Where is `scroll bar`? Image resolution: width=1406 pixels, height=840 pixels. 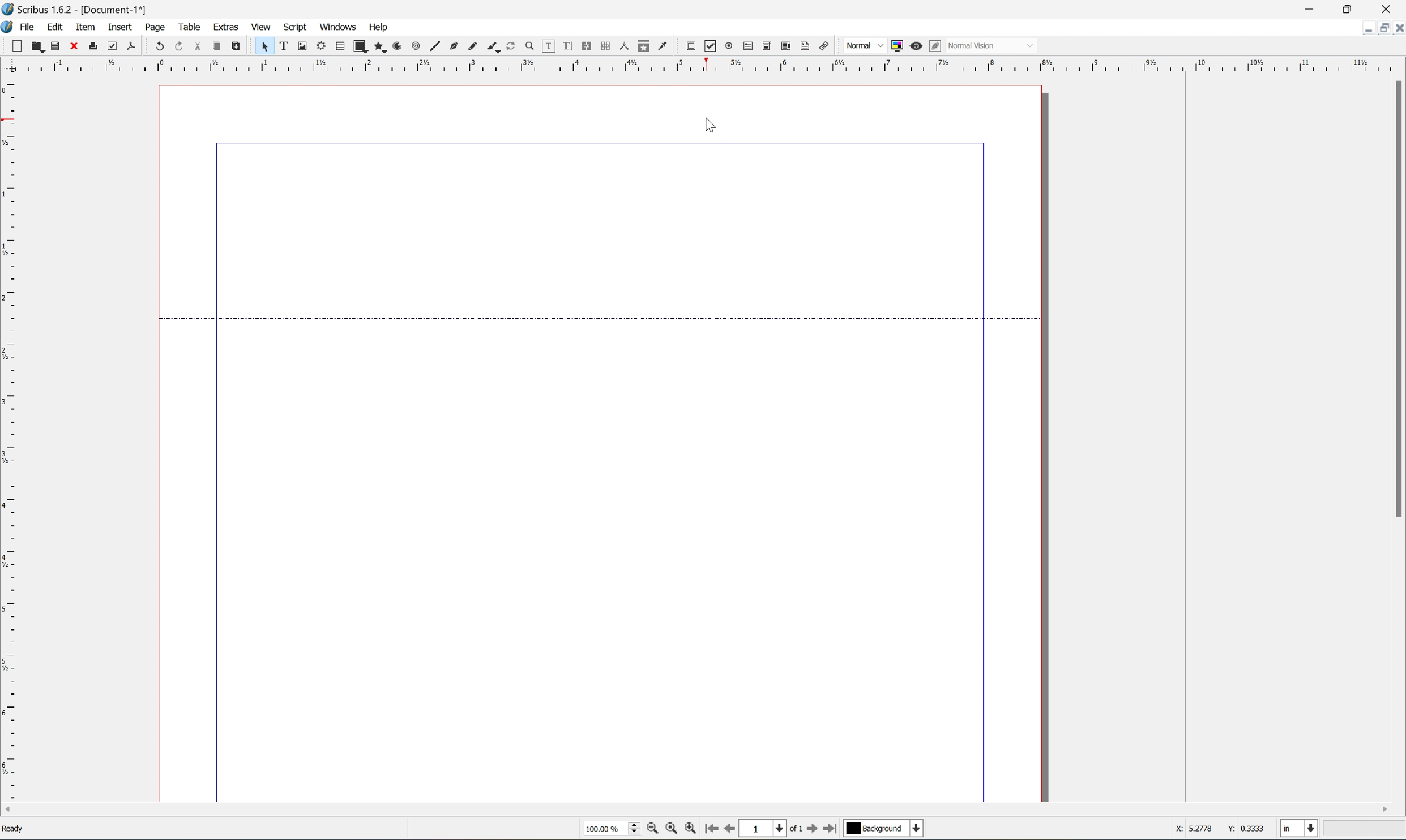 scroll bar is located at coordinates (695, 810).